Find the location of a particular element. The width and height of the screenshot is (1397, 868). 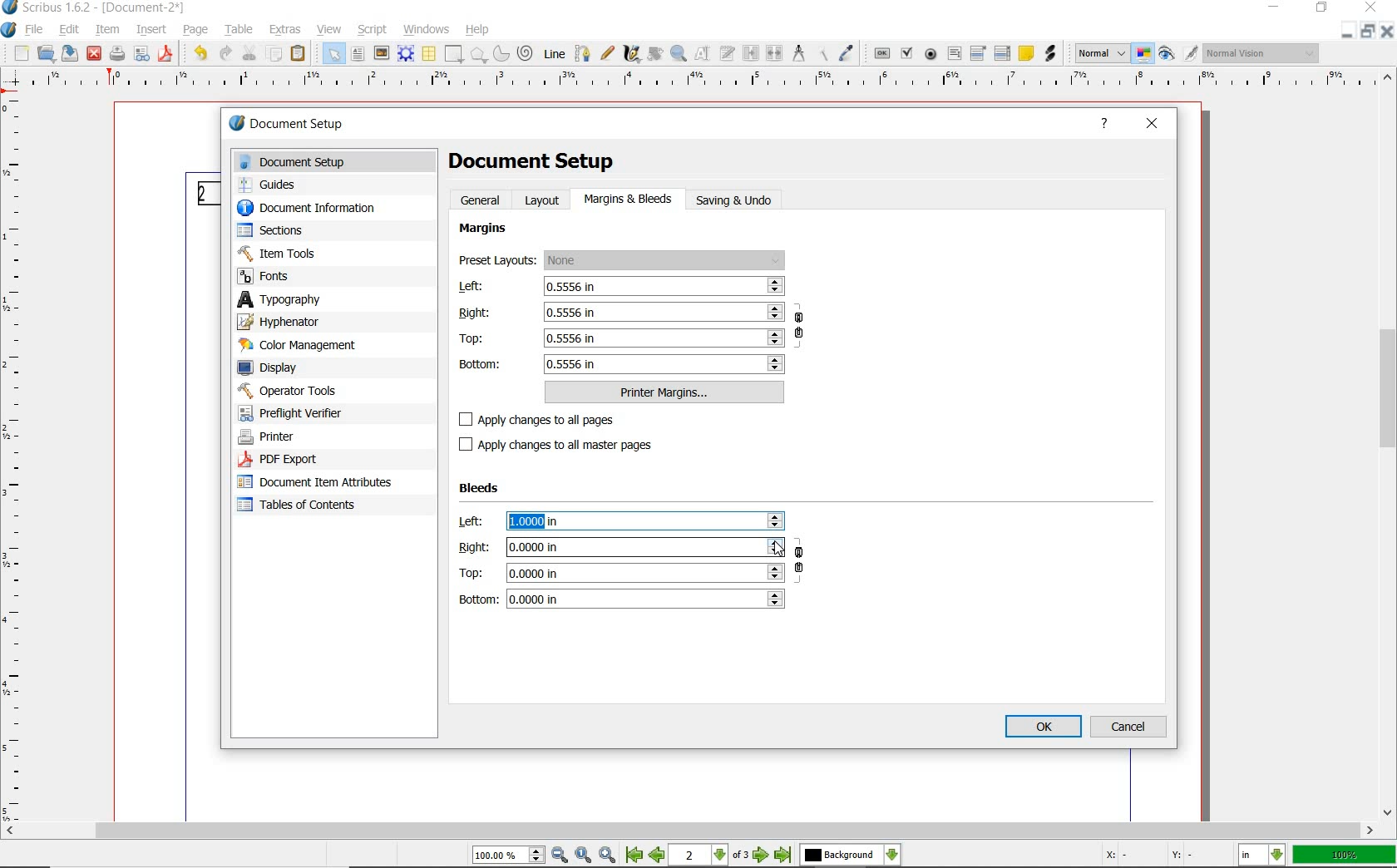

zoom factor 100% is located at coordinates (1345, 856).